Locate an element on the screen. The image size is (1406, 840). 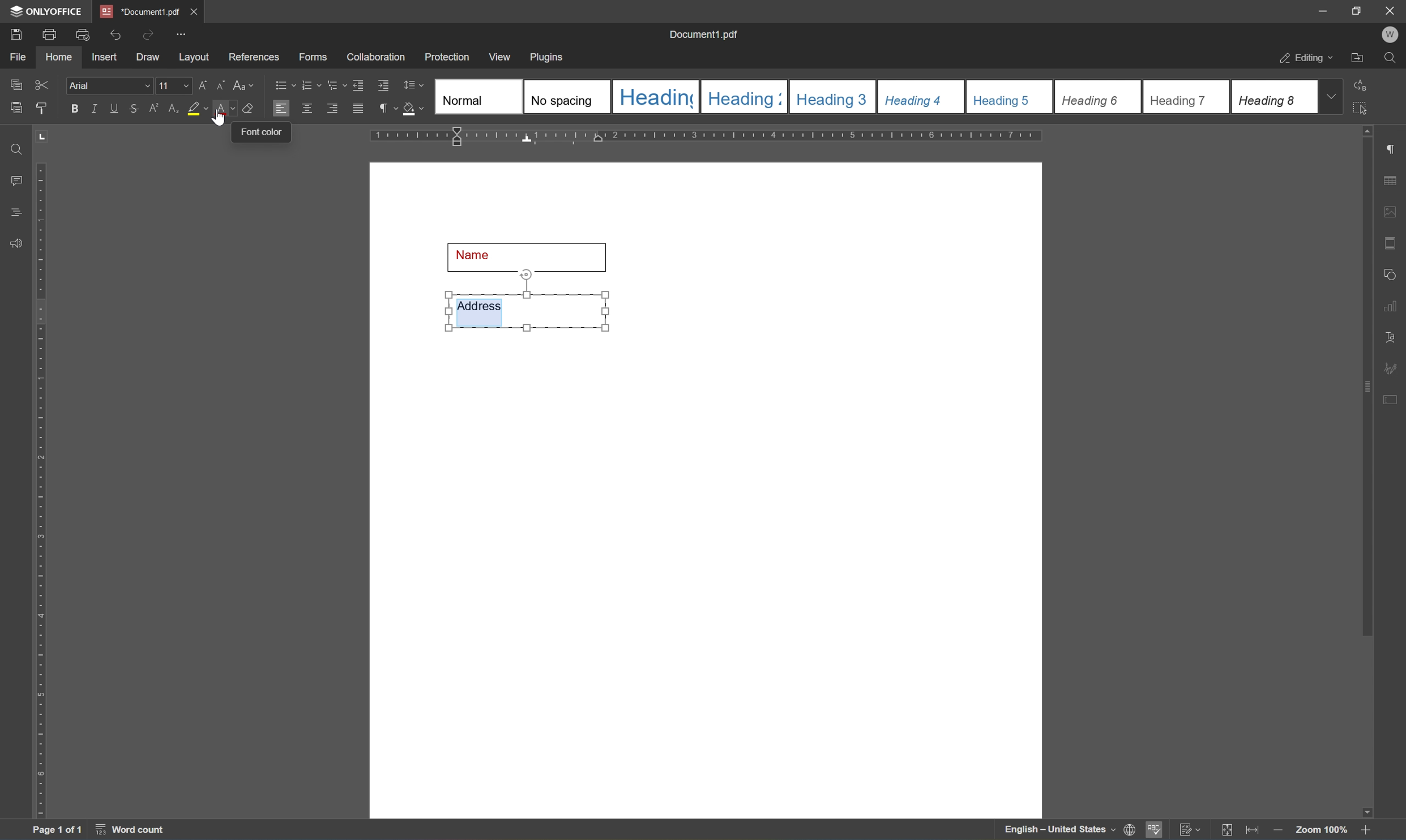
align left is located at coordinates (280, 107).